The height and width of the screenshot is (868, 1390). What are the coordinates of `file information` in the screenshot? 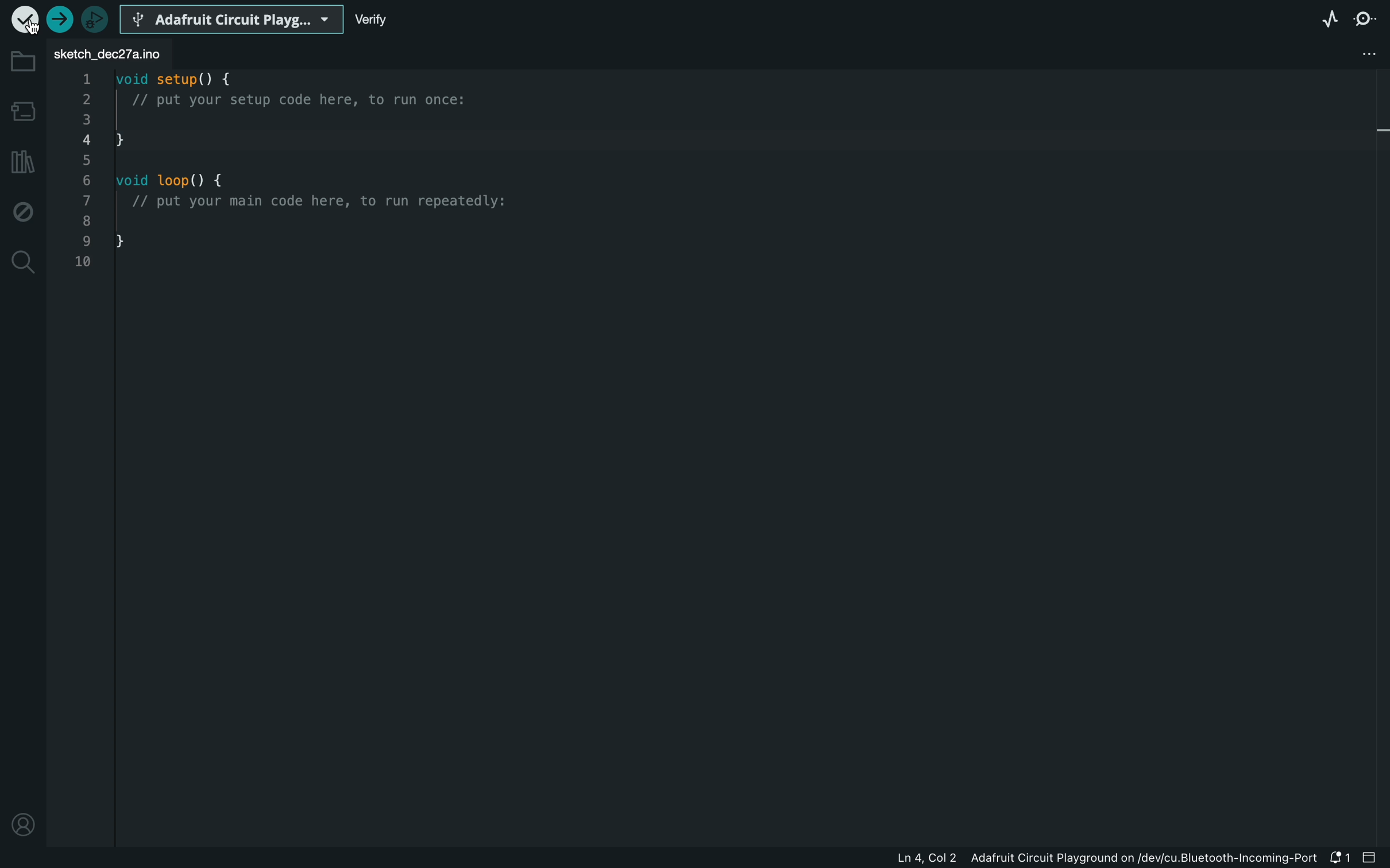 It's located at (1101, 858).